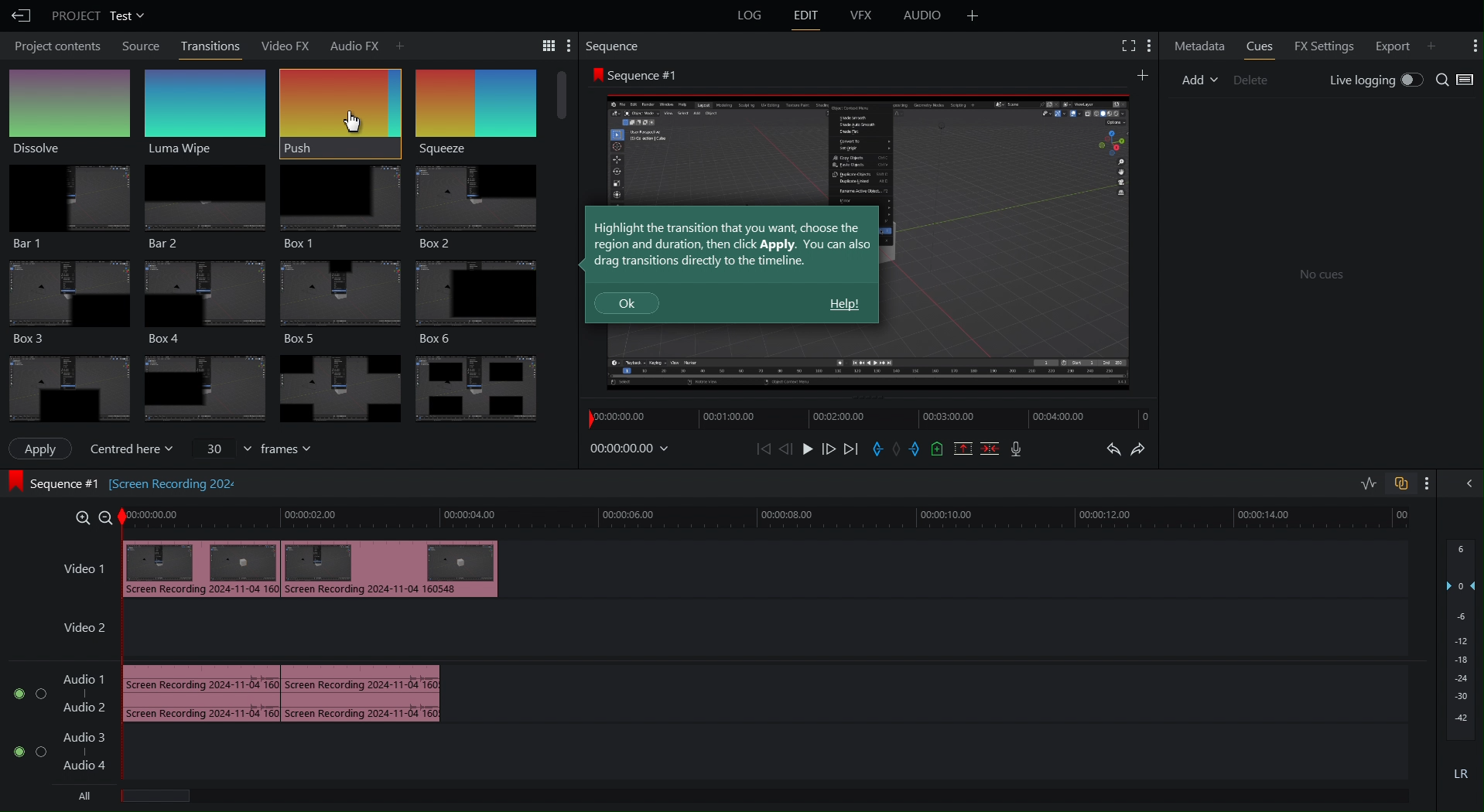  Describe the element at coordinates (764, 449) in the screenshot. I see `Skip Back` at that location.